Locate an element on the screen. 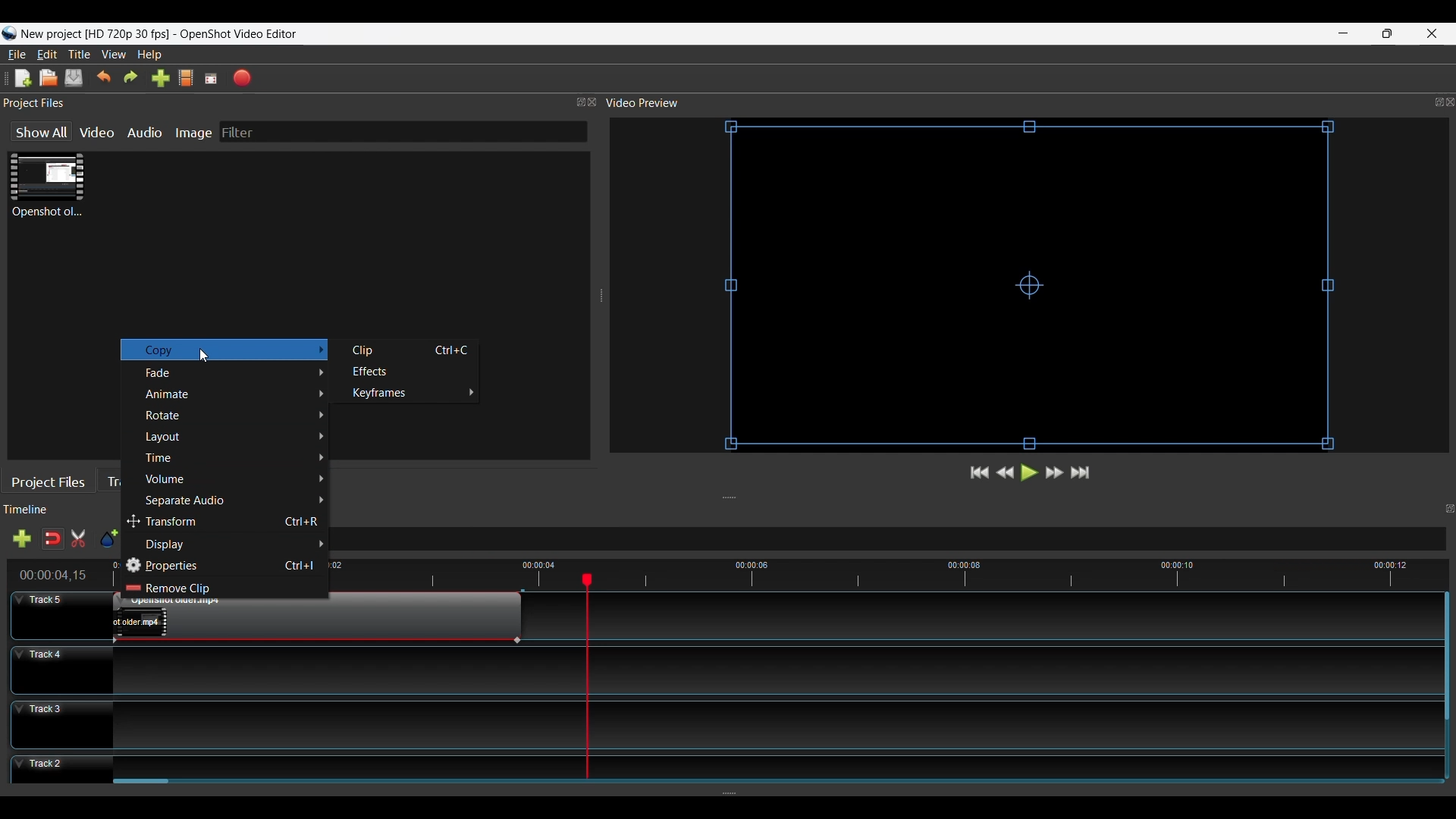  Export Video is located at coordinates (243, 77).